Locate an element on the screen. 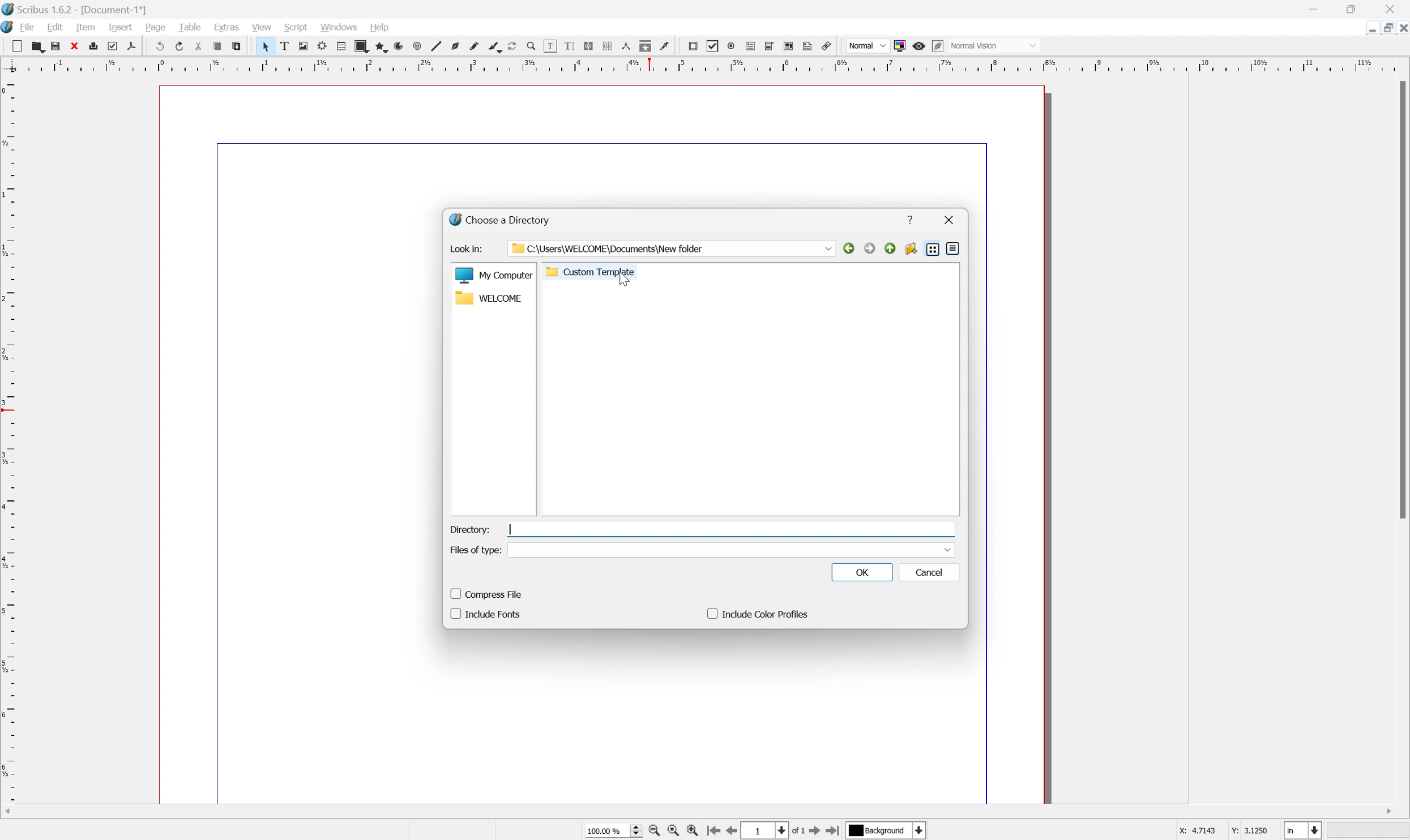  table is located at coordinates (341, 44).